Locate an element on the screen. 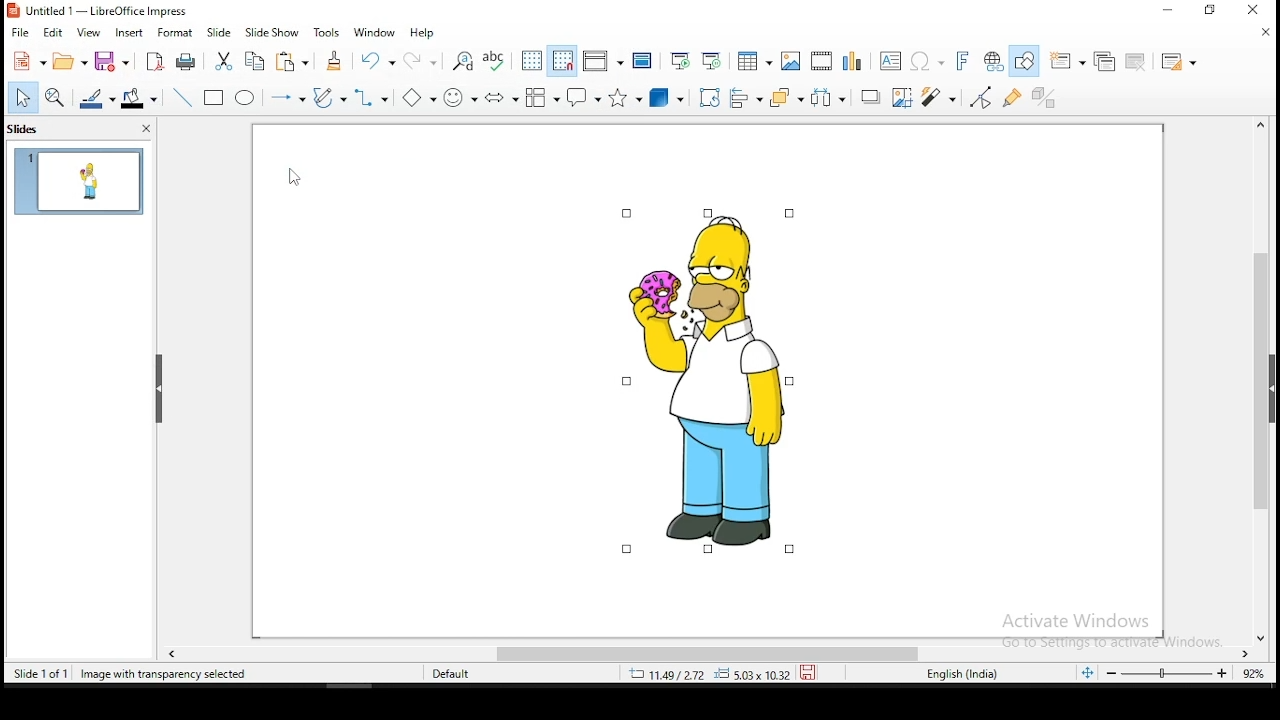 Image resolution: width=1280 pixels, height=720 pixels. paste is located at coordinates (293, 62).